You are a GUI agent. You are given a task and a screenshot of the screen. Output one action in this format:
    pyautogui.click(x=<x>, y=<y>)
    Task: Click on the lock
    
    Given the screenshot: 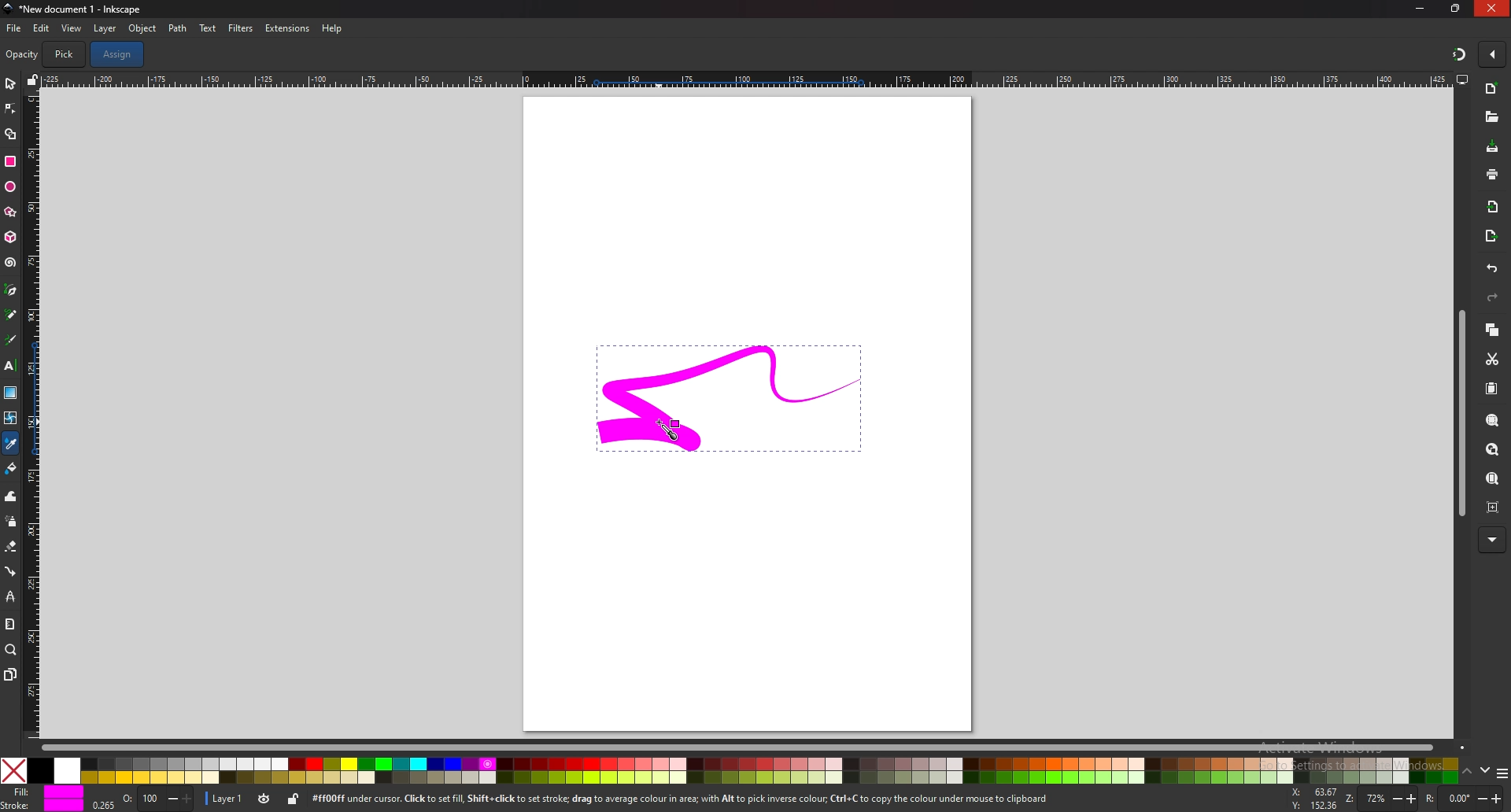 What is the action you would take?
    pyautogui.click(x=294, y=799)
    